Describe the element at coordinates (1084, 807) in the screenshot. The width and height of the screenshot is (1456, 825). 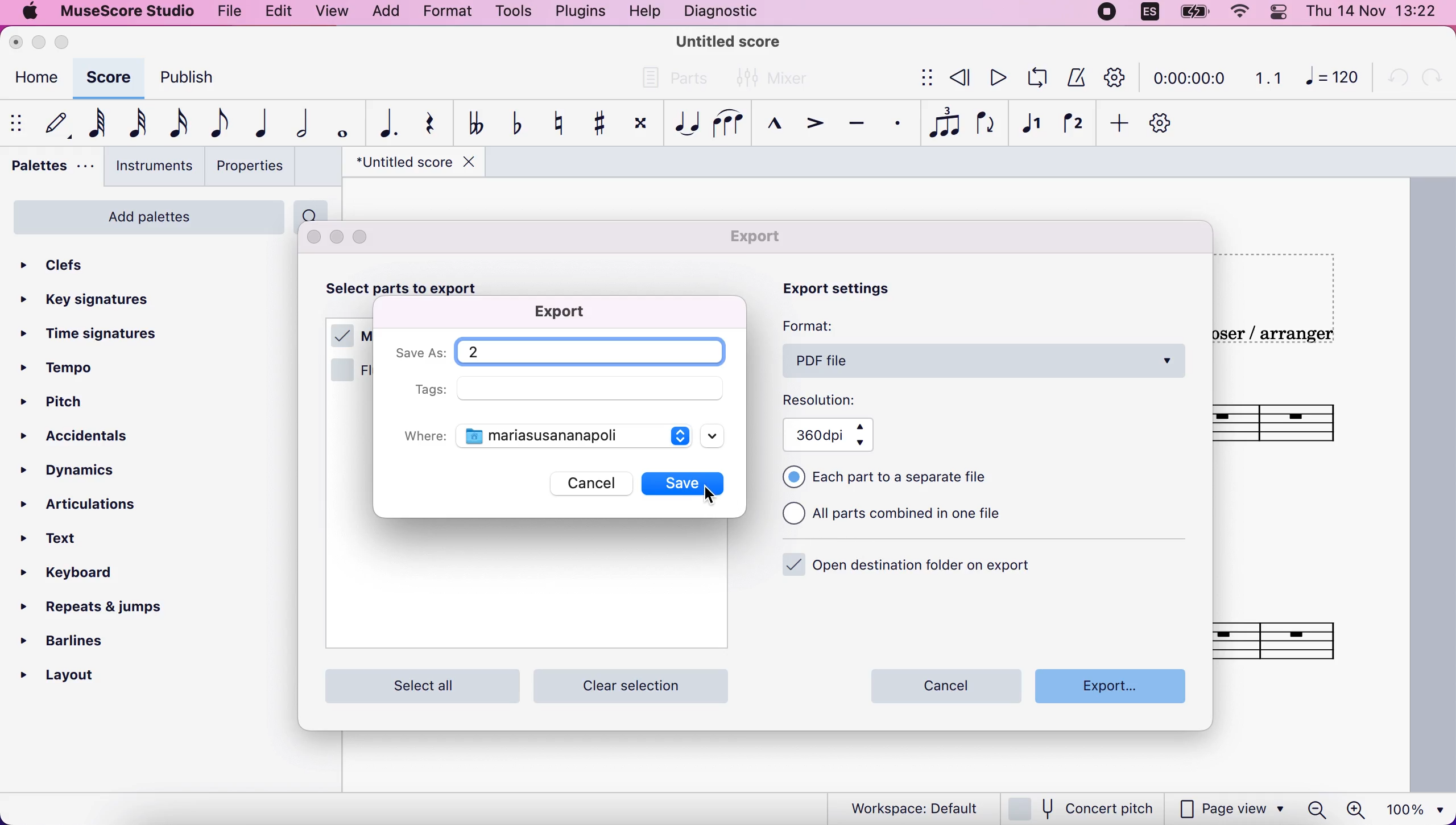
I see `concert pitch` at that location.